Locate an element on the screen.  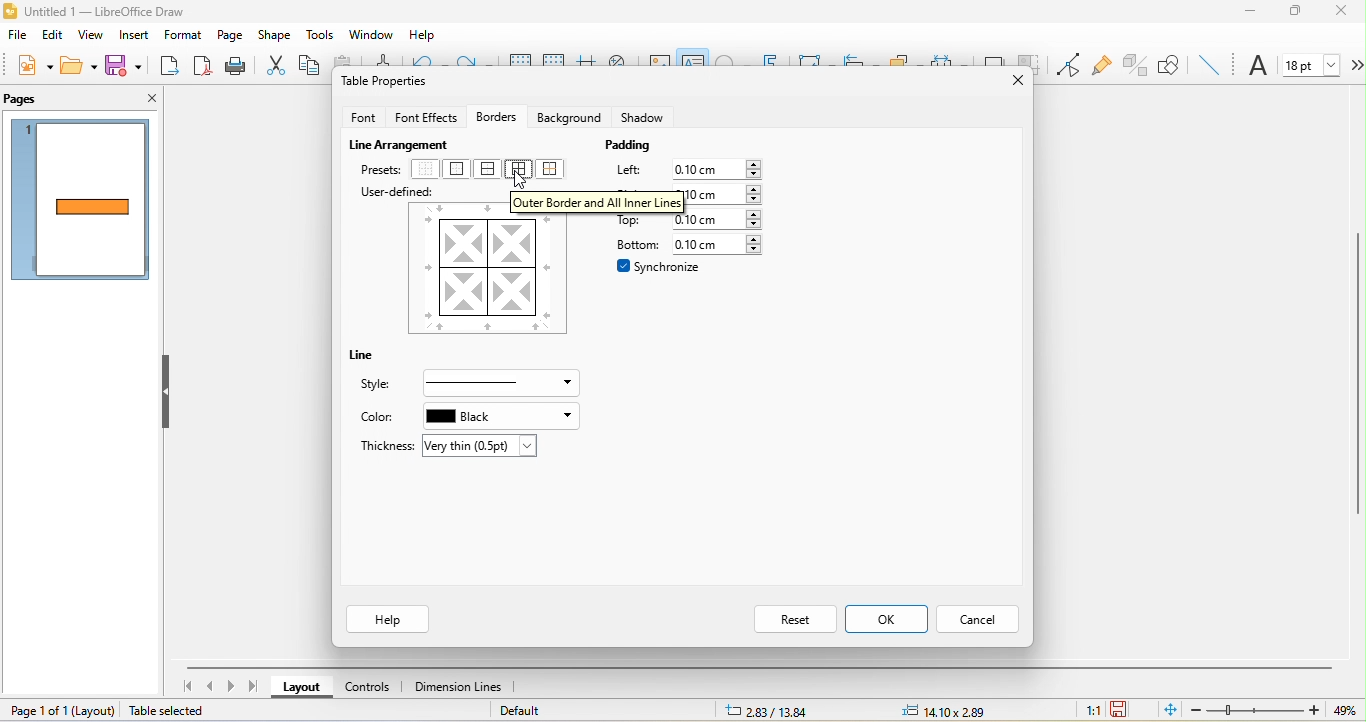
0.10 cm is located at coordinates (721, 244).